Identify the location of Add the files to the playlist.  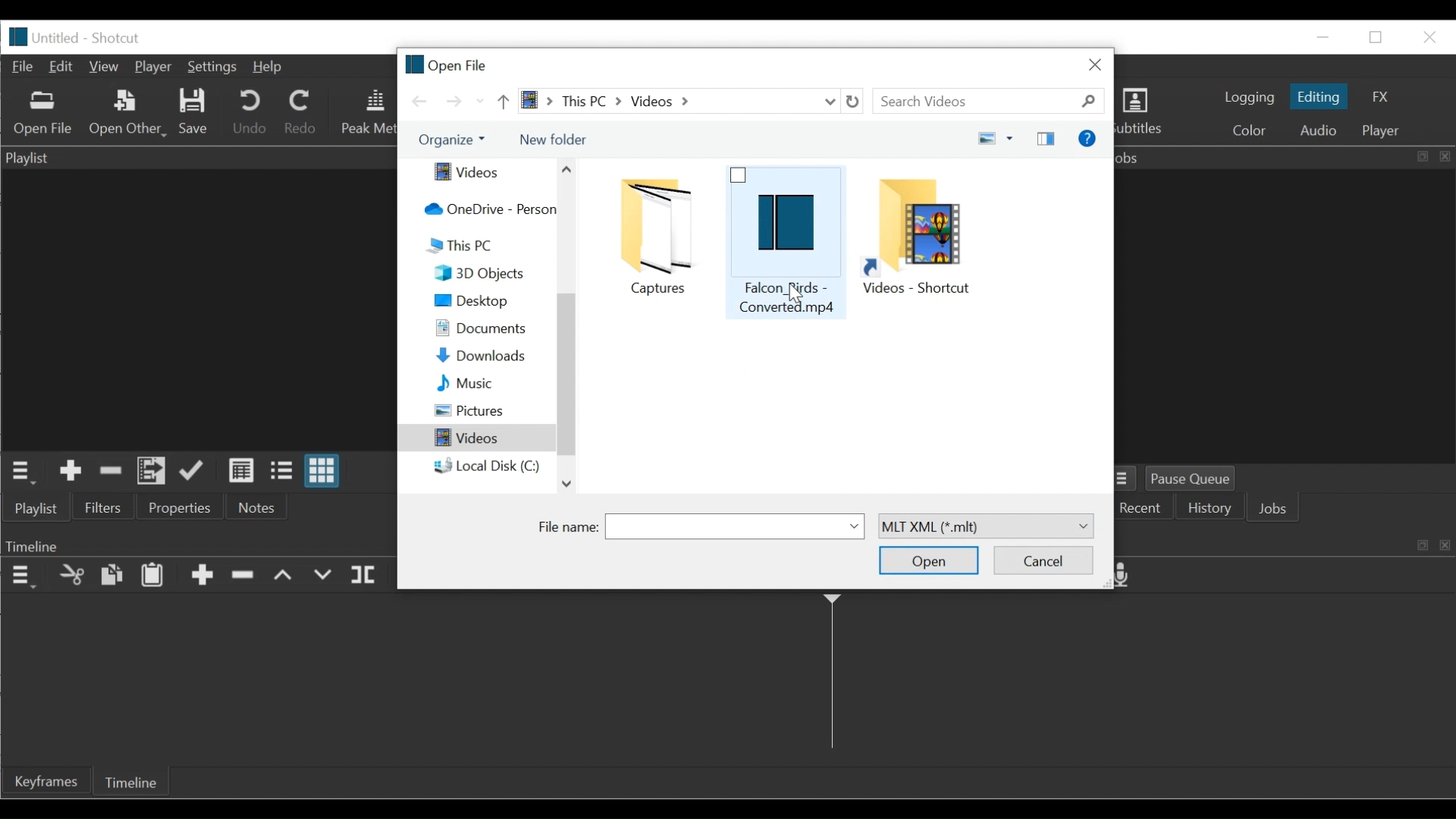
(151, 471).